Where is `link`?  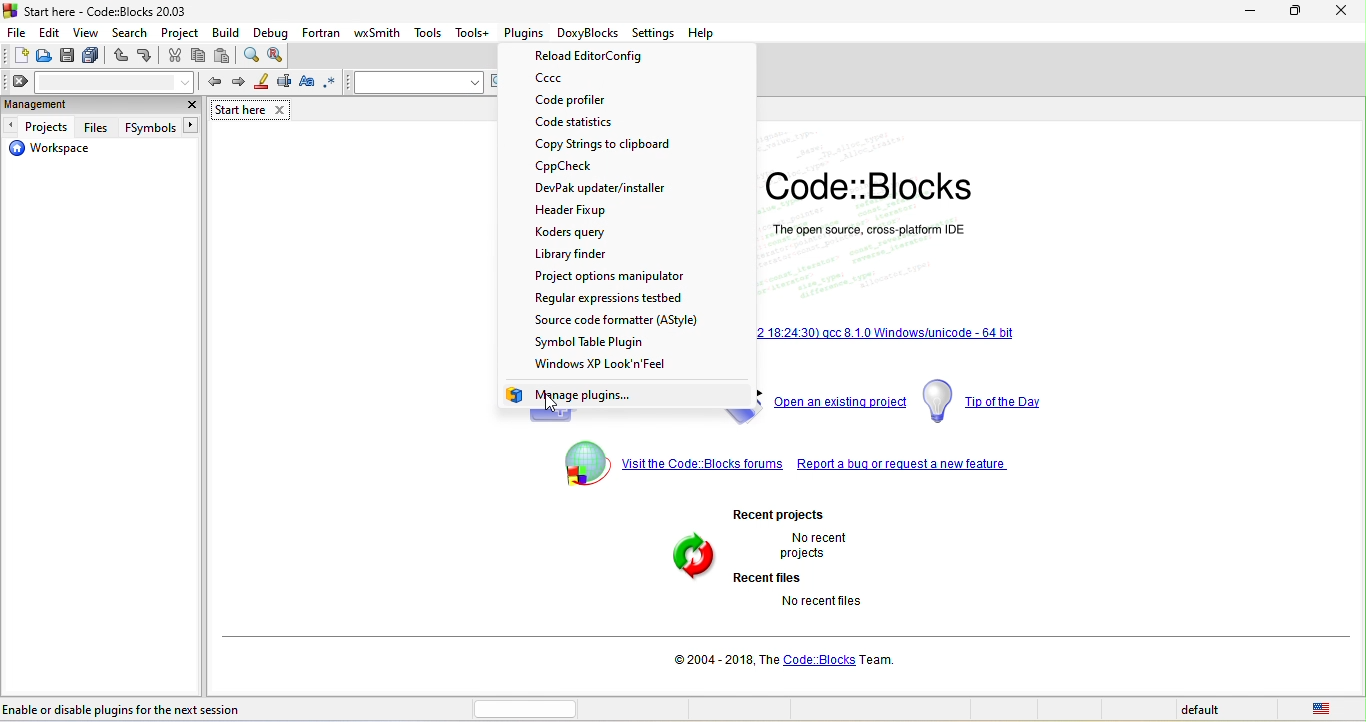
link is located at coordinates (890, 331).